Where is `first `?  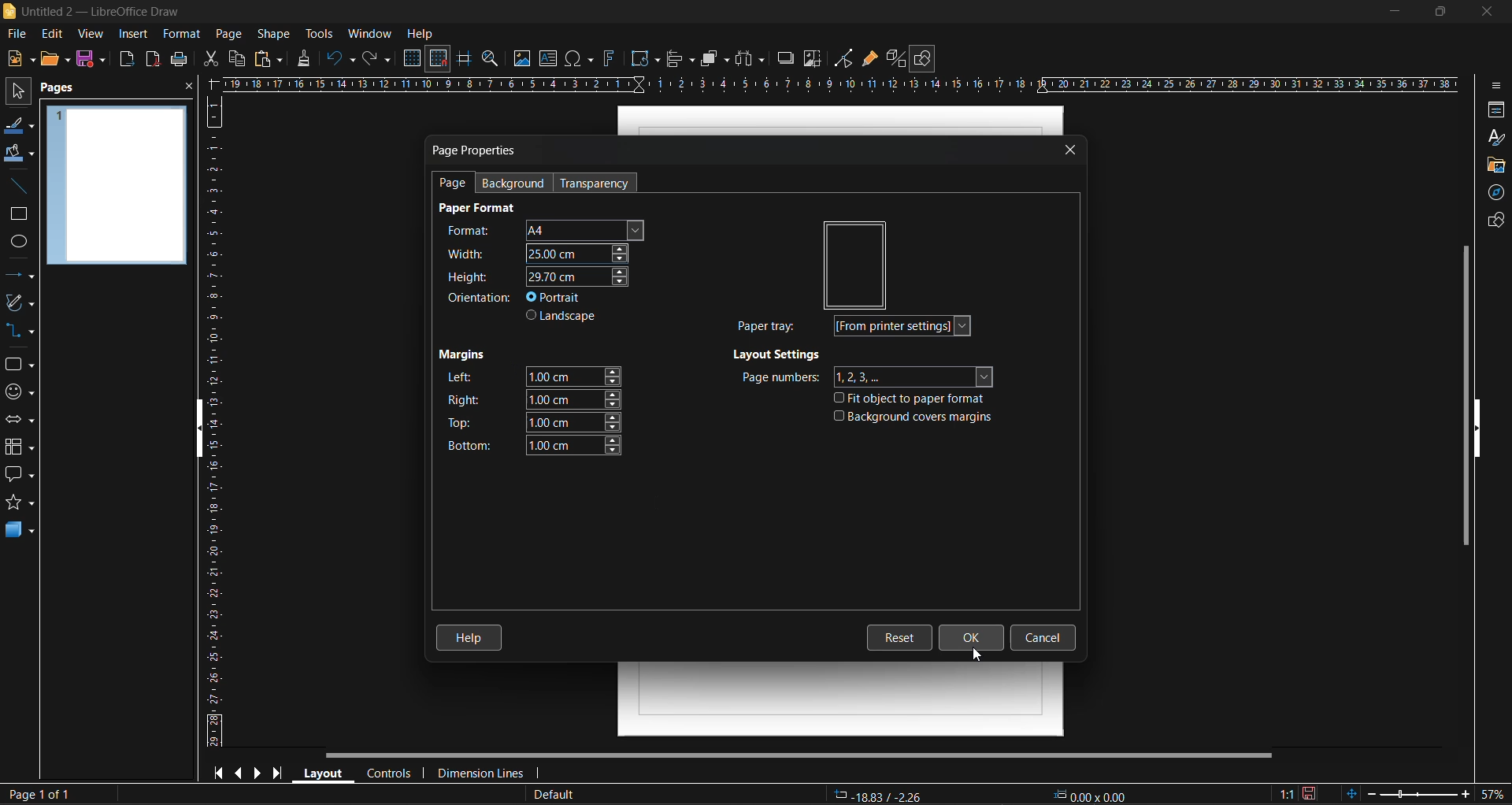
first  is located at coordinates (220, 774).